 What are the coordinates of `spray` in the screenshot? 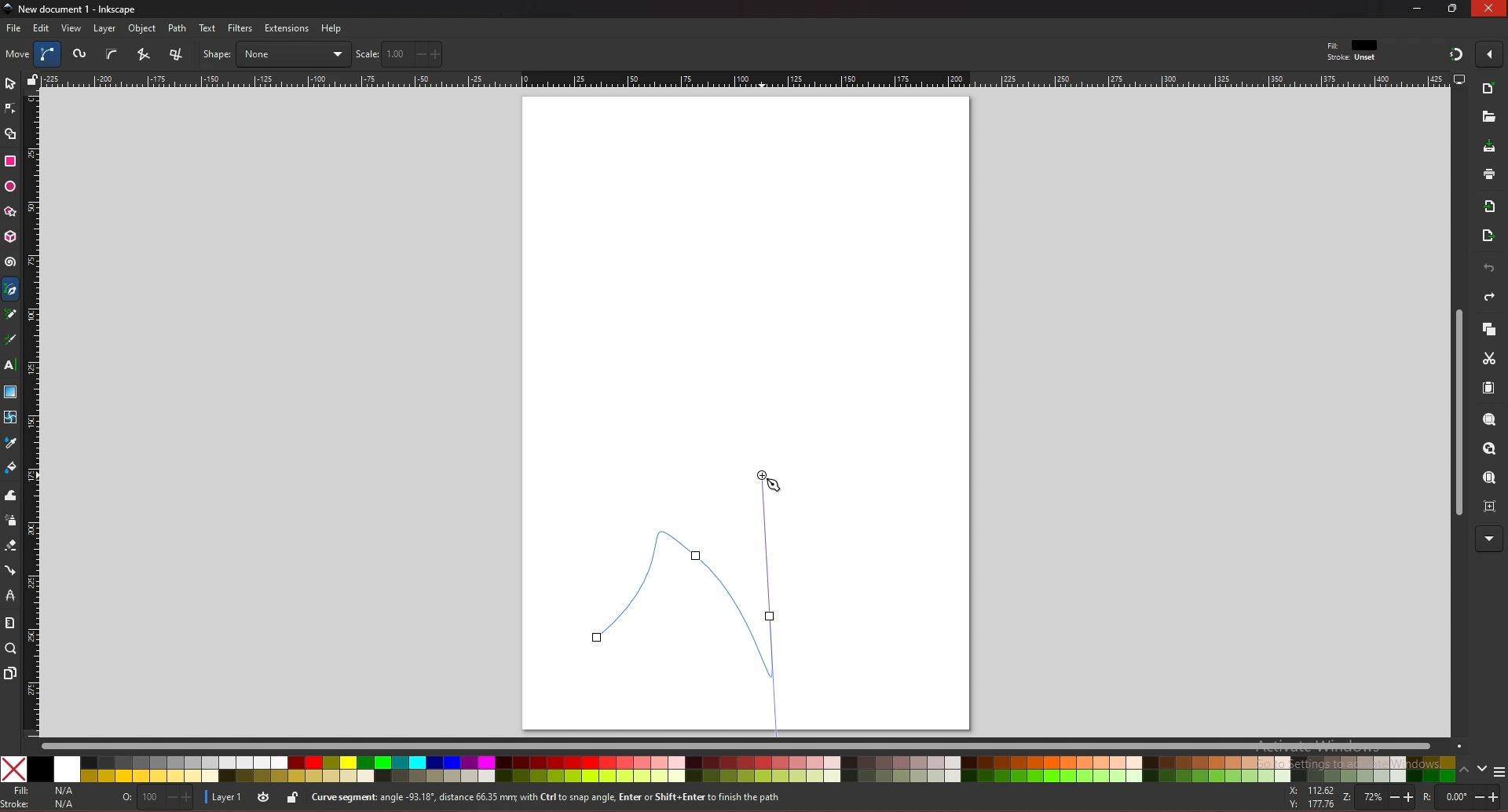 It's located at (10, 521).